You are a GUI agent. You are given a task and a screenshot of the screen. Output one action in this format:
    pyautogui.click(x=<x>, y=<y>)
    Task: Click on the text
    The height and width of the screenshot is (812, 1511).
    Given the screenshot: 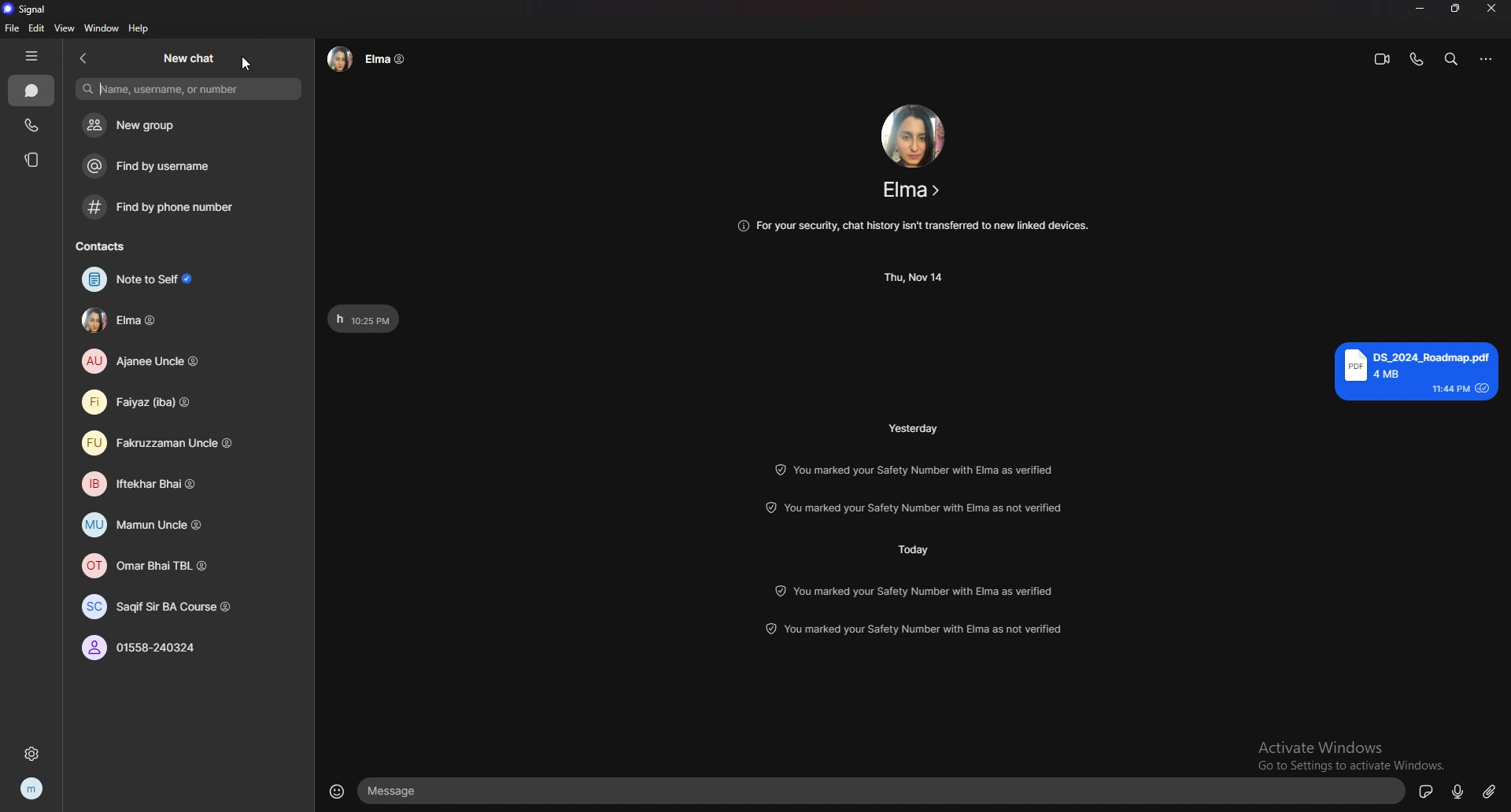 What is the action you would take?
    pyautogui.click(x=1417, y=371)
    